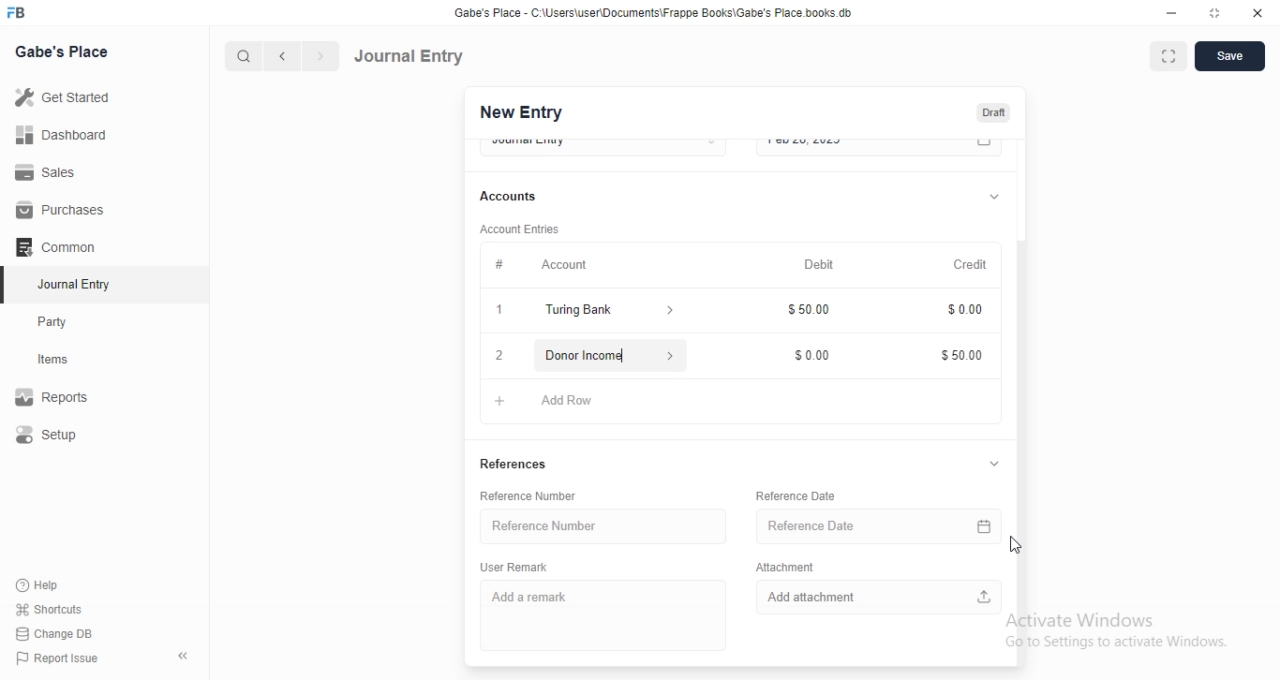  I want to click on calender, so click(985, 147).